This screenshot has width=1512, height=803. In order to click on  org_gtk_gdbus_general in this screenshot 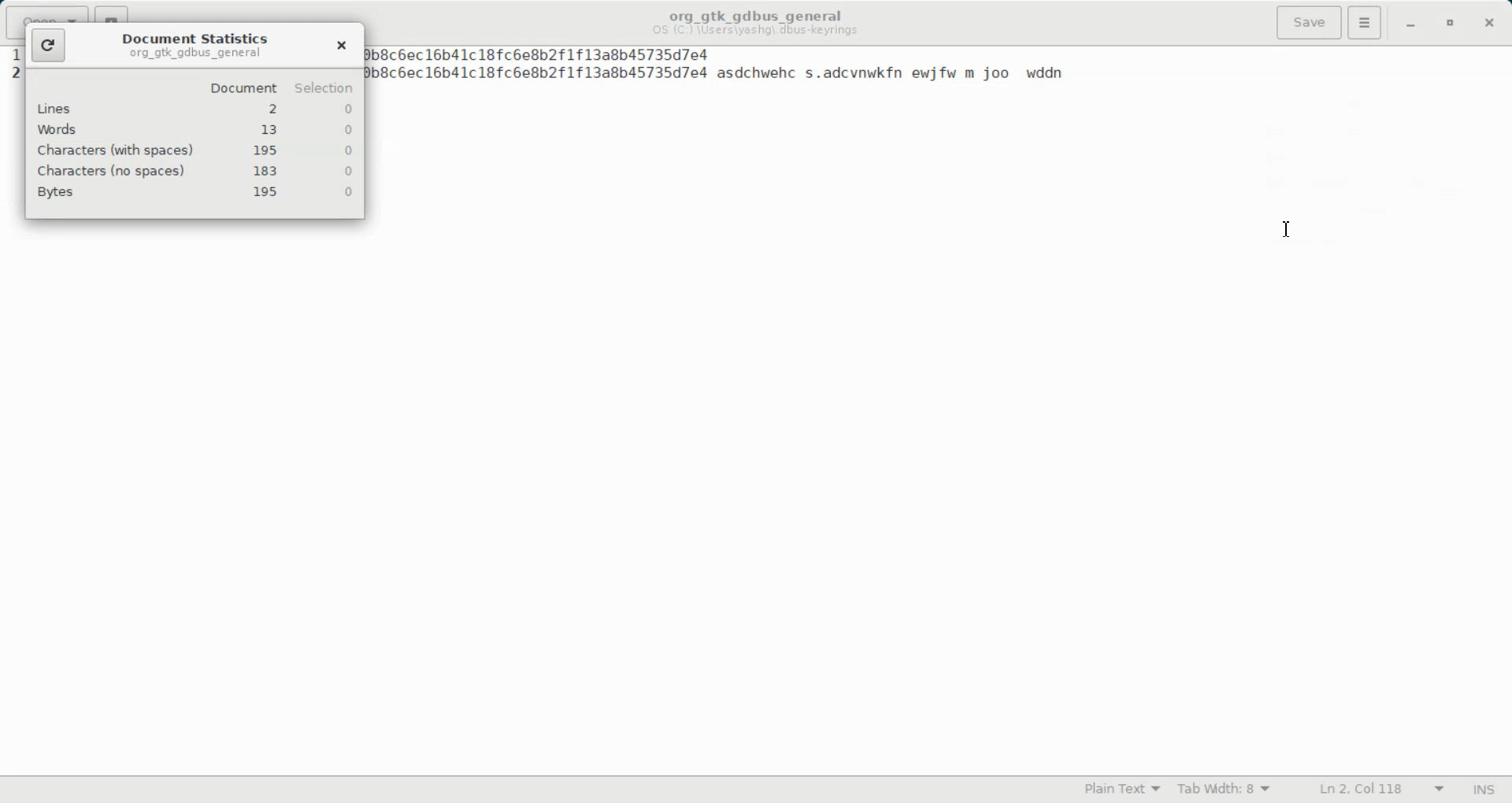, I will do `click(755, 12)`.